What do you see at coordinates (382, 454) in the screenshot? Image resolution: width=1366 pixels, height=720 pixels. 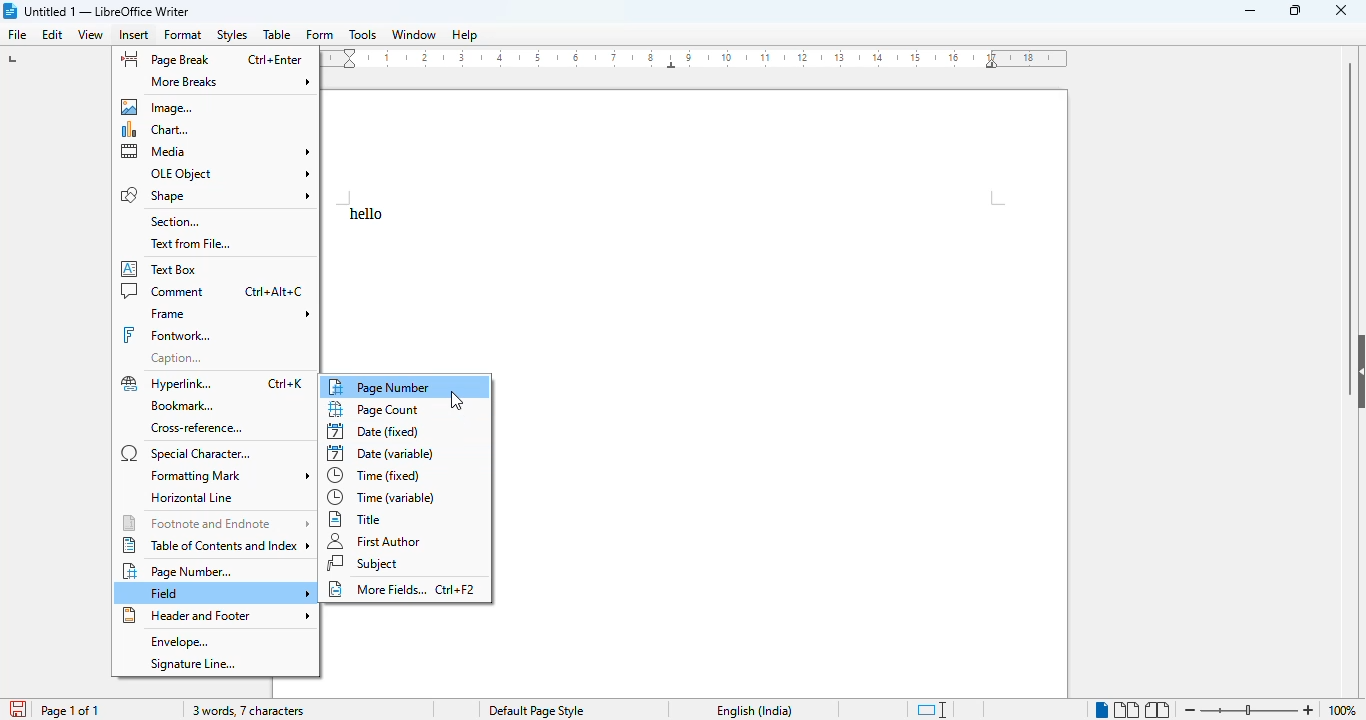 I see `date (variable)` at bounding box center [382, 454].